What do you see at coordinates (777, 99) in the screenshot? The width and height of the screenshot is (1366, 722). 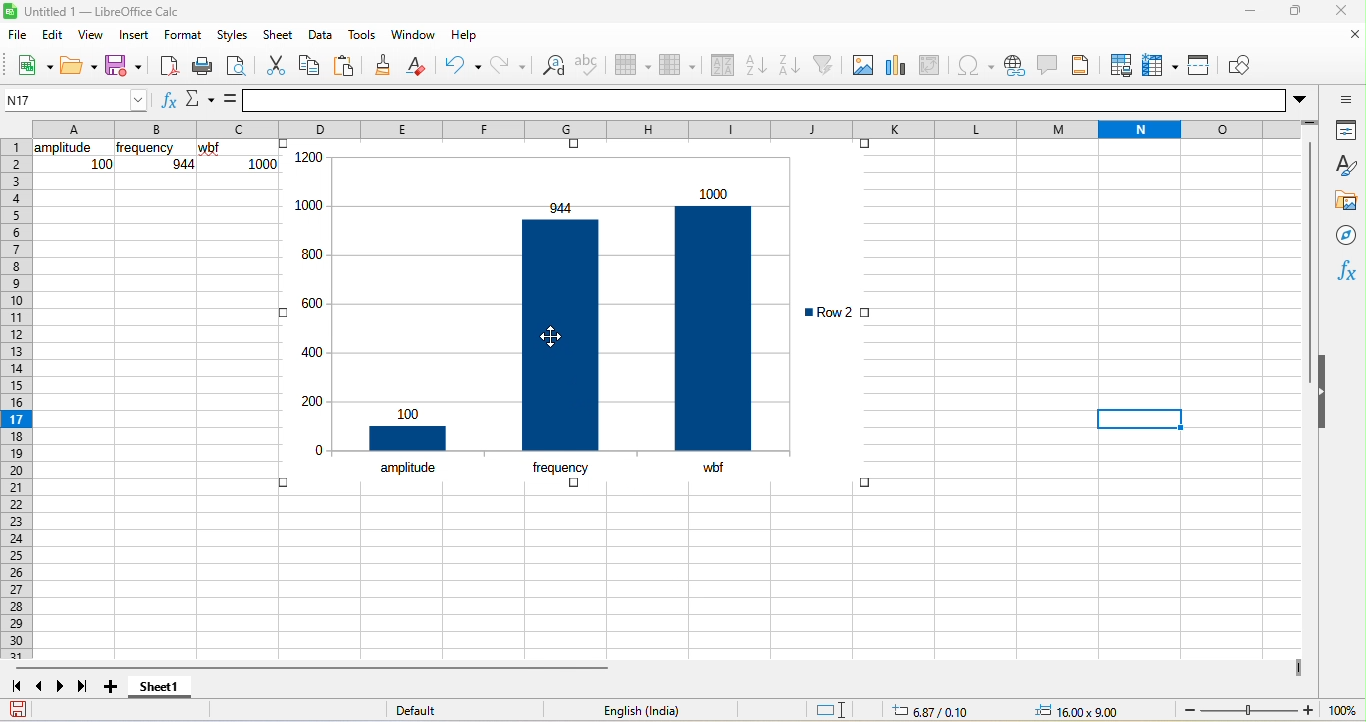 I see `formula bar` at bounding box center [777, 99].